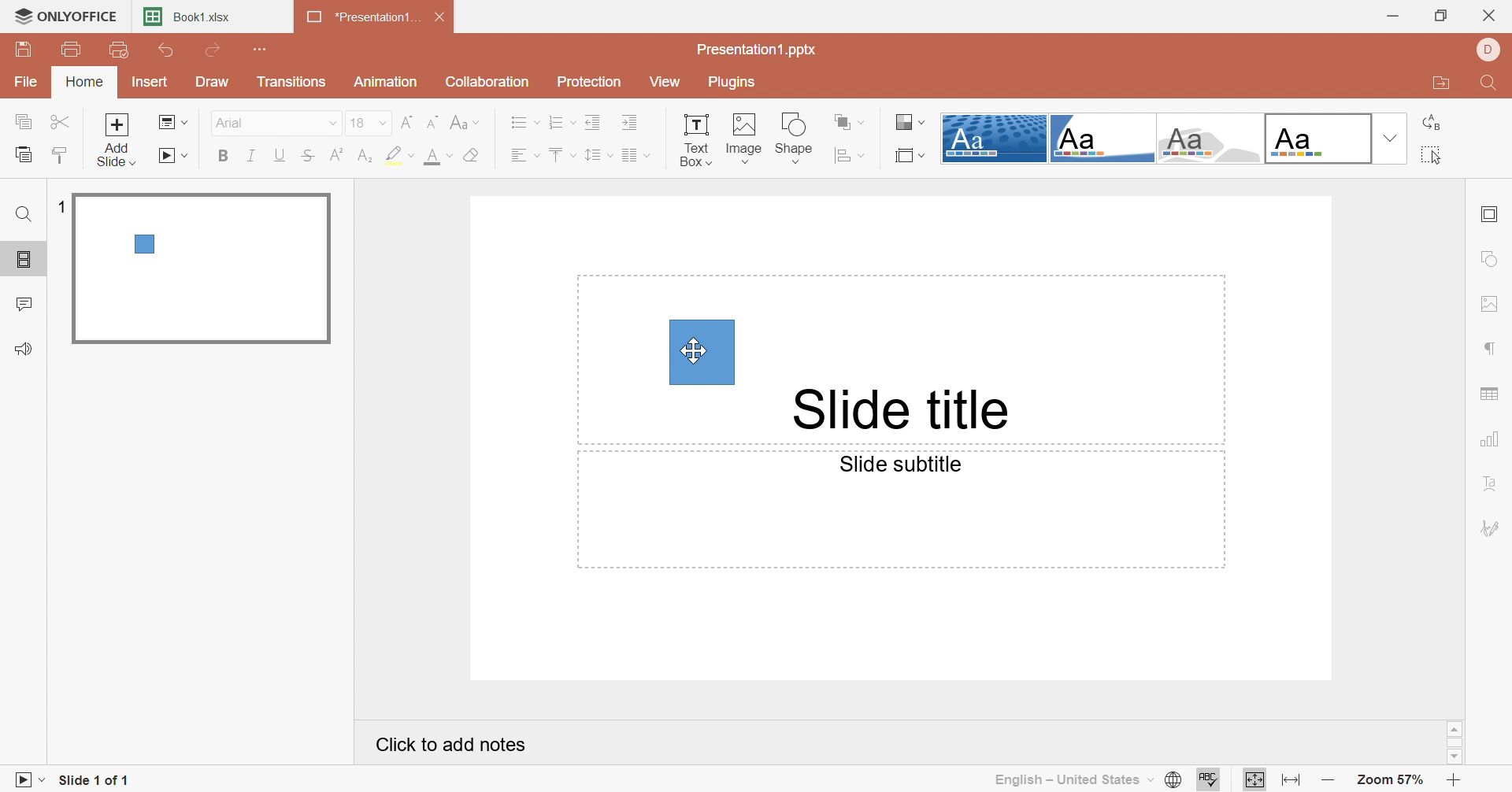 This screenshot has width=1512, height=792. Describe the element at coordinates (1433, 157) in the screenshot. I see `Select all` at that location.